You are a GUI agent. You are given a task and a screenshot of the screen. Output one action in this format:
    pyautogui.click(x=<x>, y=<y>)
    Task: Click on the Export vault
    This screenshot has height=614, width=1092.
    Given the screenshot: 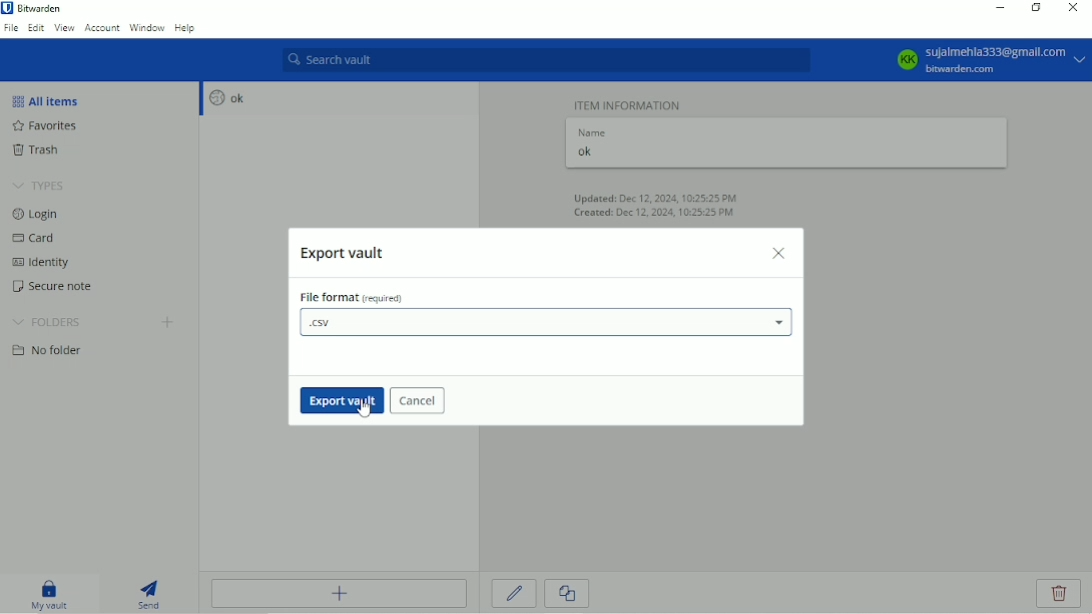 What is the action you would take?
    pyautogui.click(x=338, y=400)
    